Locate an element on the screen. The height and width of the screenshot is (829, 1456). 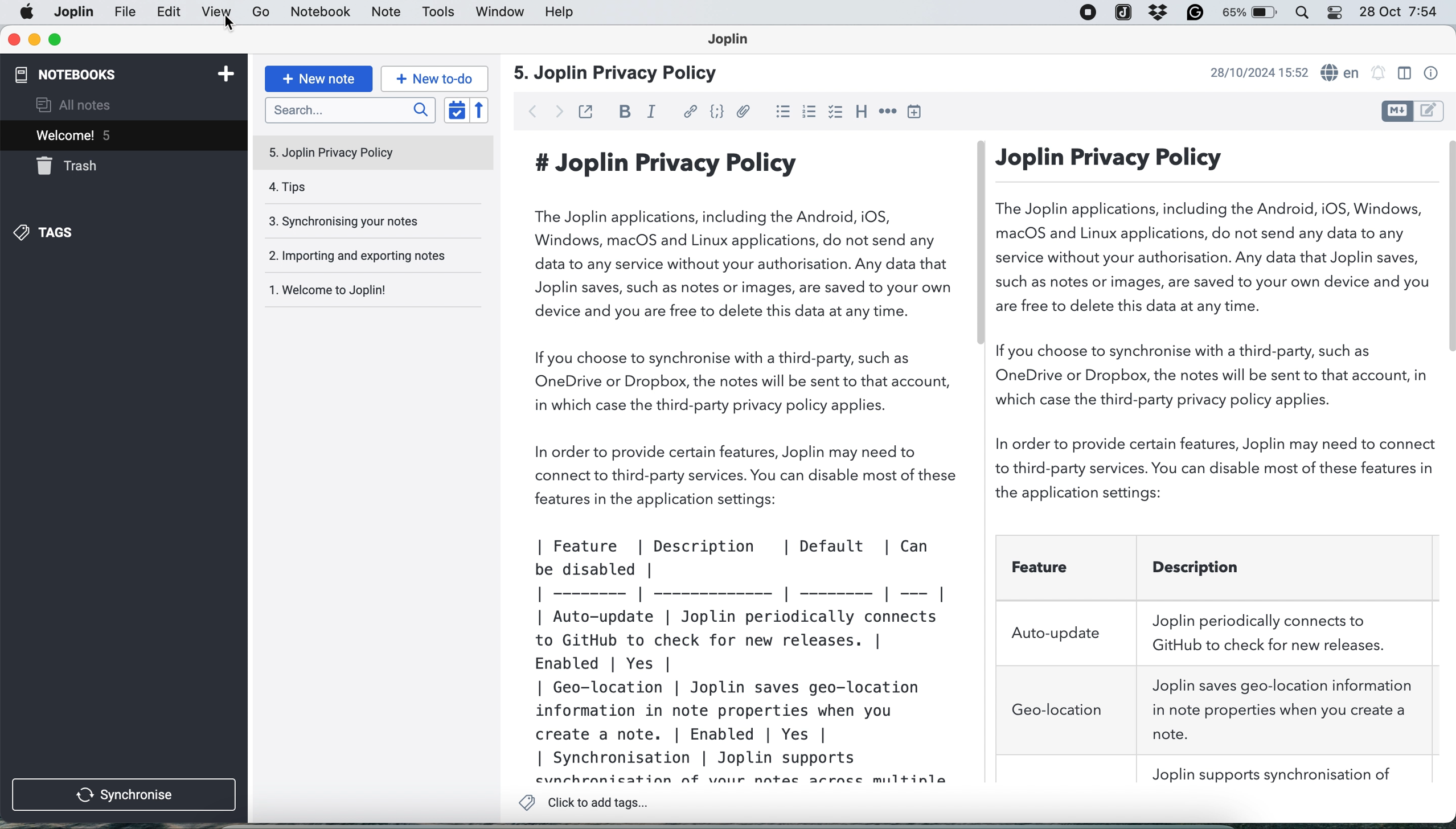
hyperlink is located at coordinates (692, 112).